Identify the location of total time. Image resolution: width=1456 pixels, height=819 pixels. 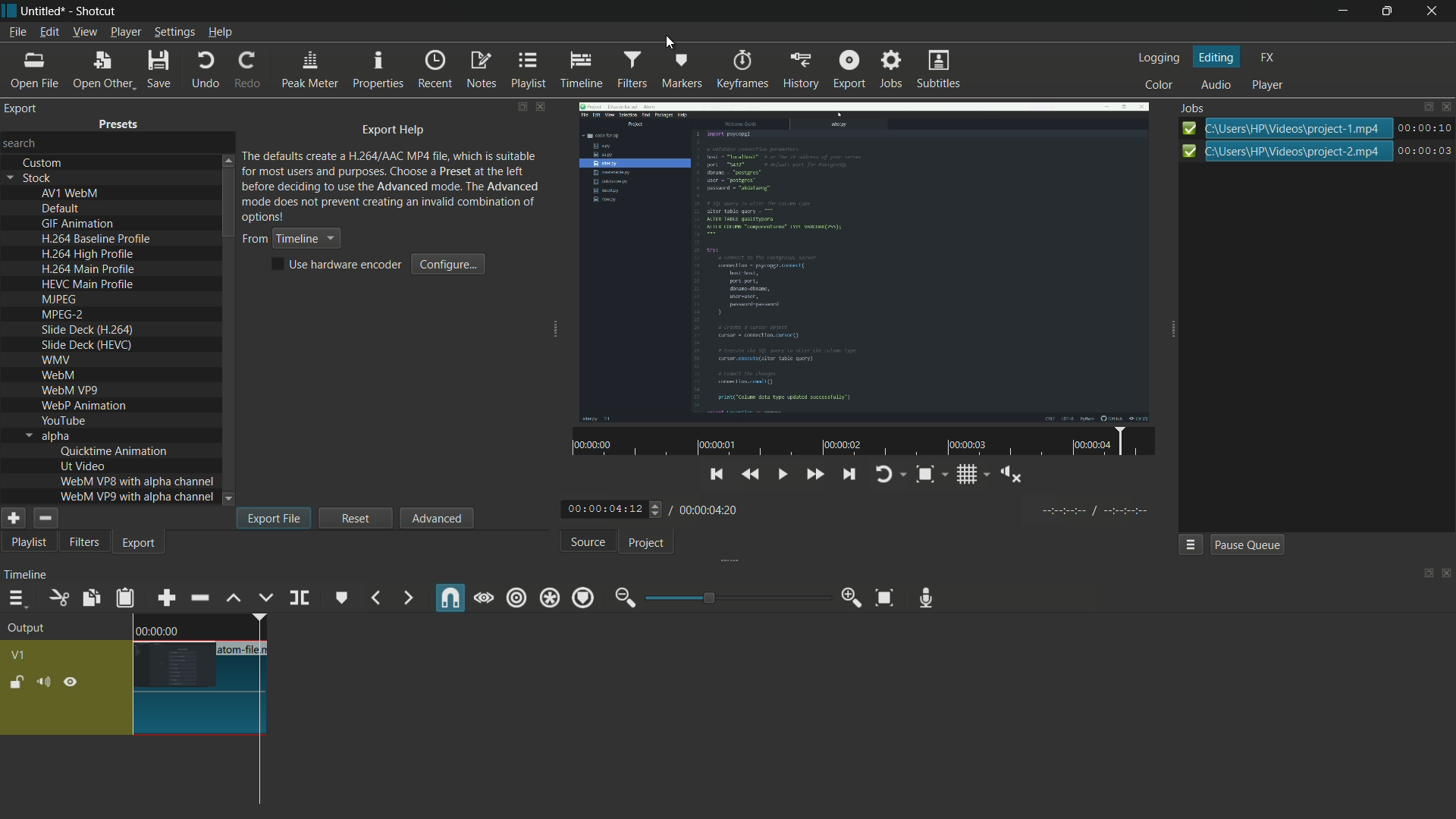
(709, 510).